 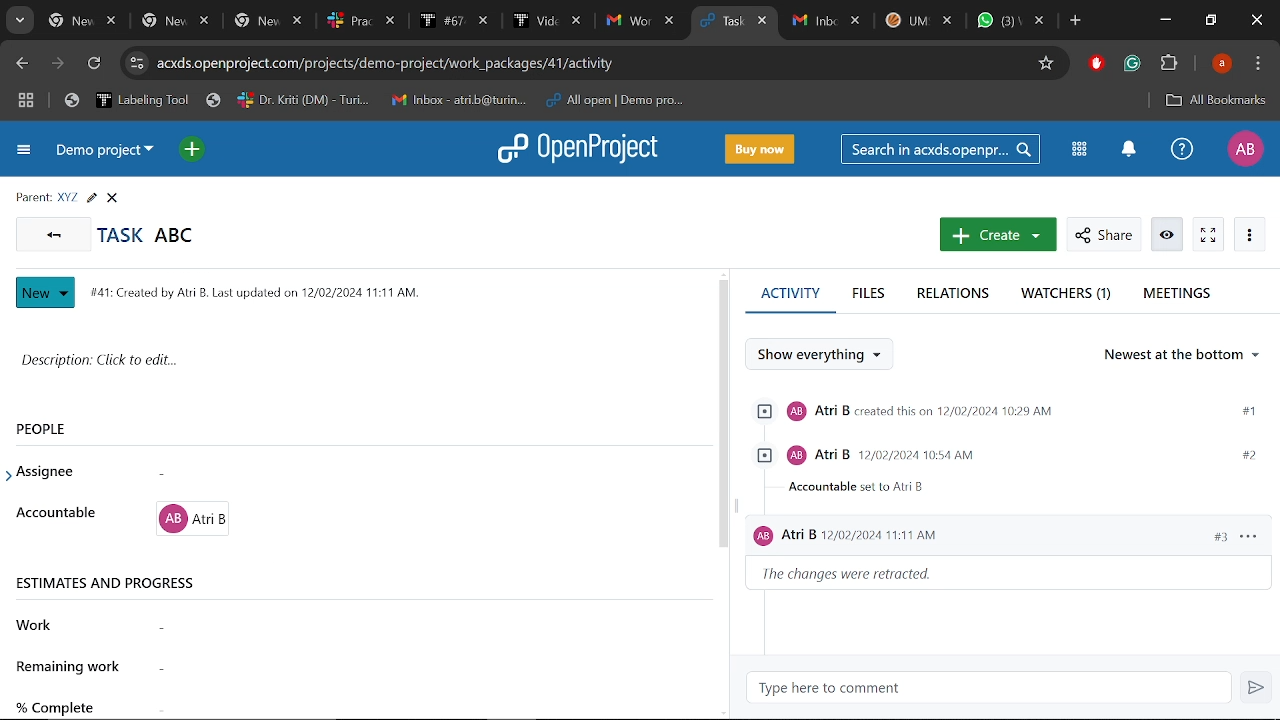 What do you see at coordinates (828, 355) in the screenshot?
I see `Show everything` at bounding box center [828, 355].